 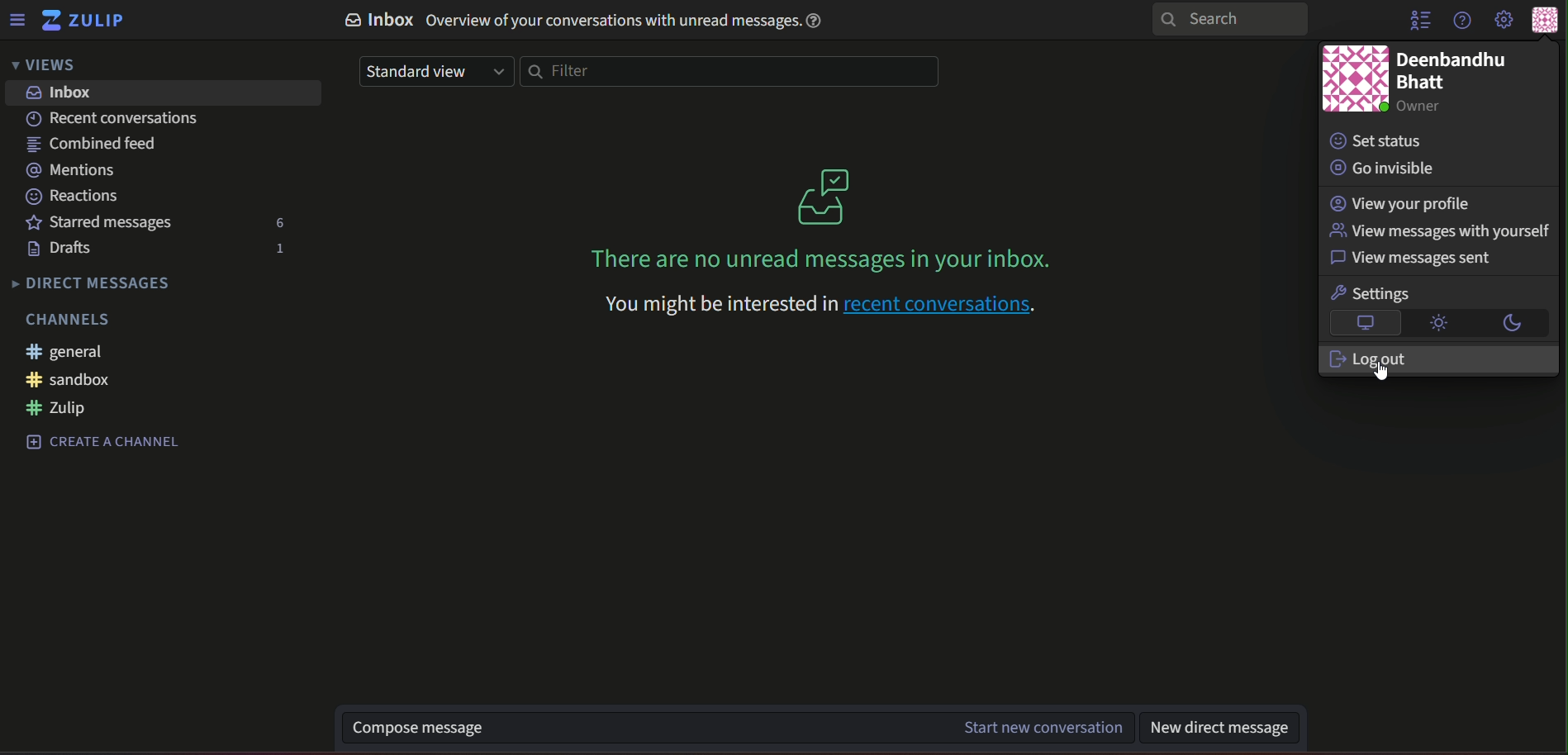 What do you see at coordinates (1382, 142) in the screenshot?
I see `text` at bounding box center [1382, 142].